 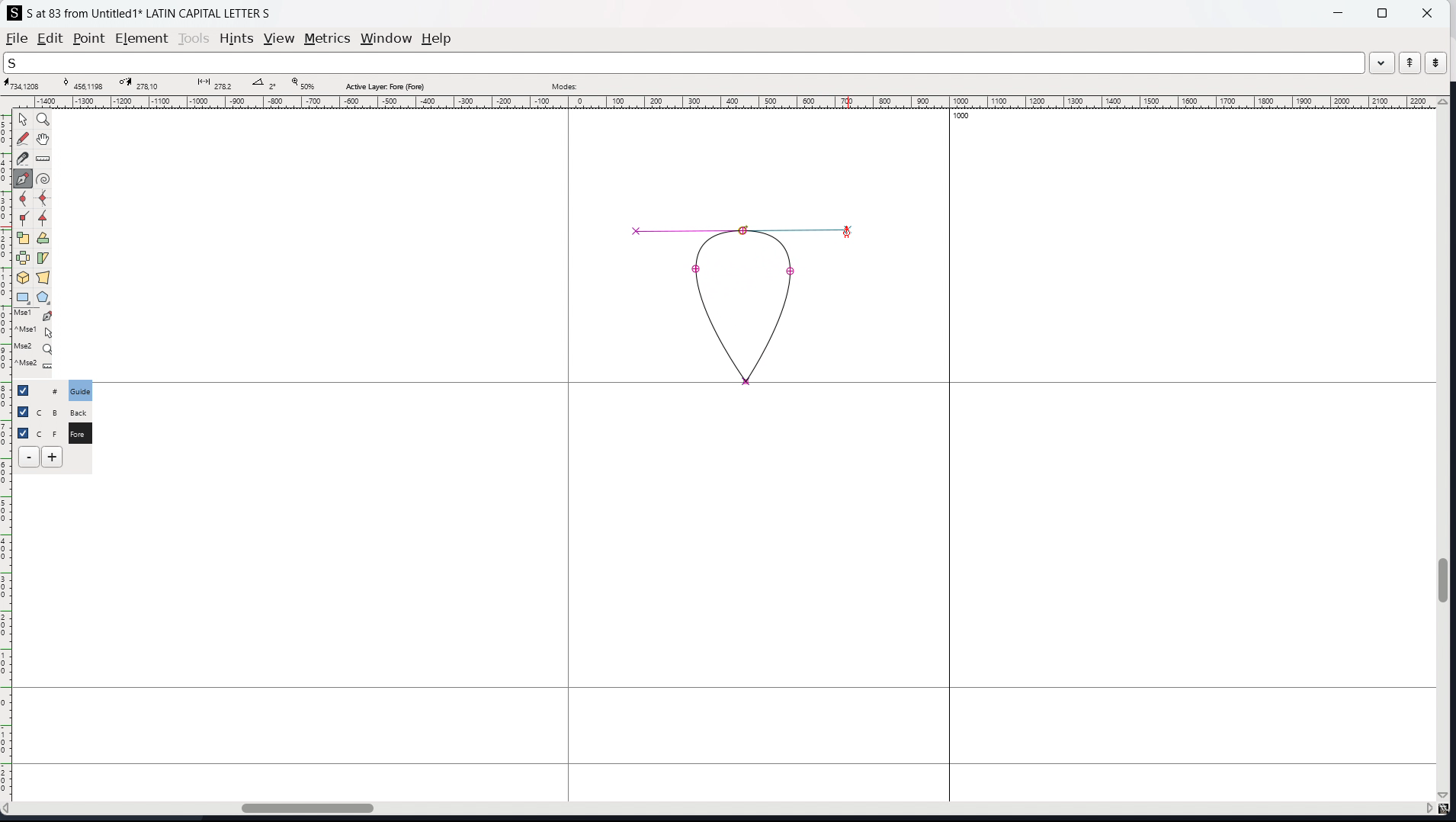 I want to click on zoom level, so click(x=303, y=85).